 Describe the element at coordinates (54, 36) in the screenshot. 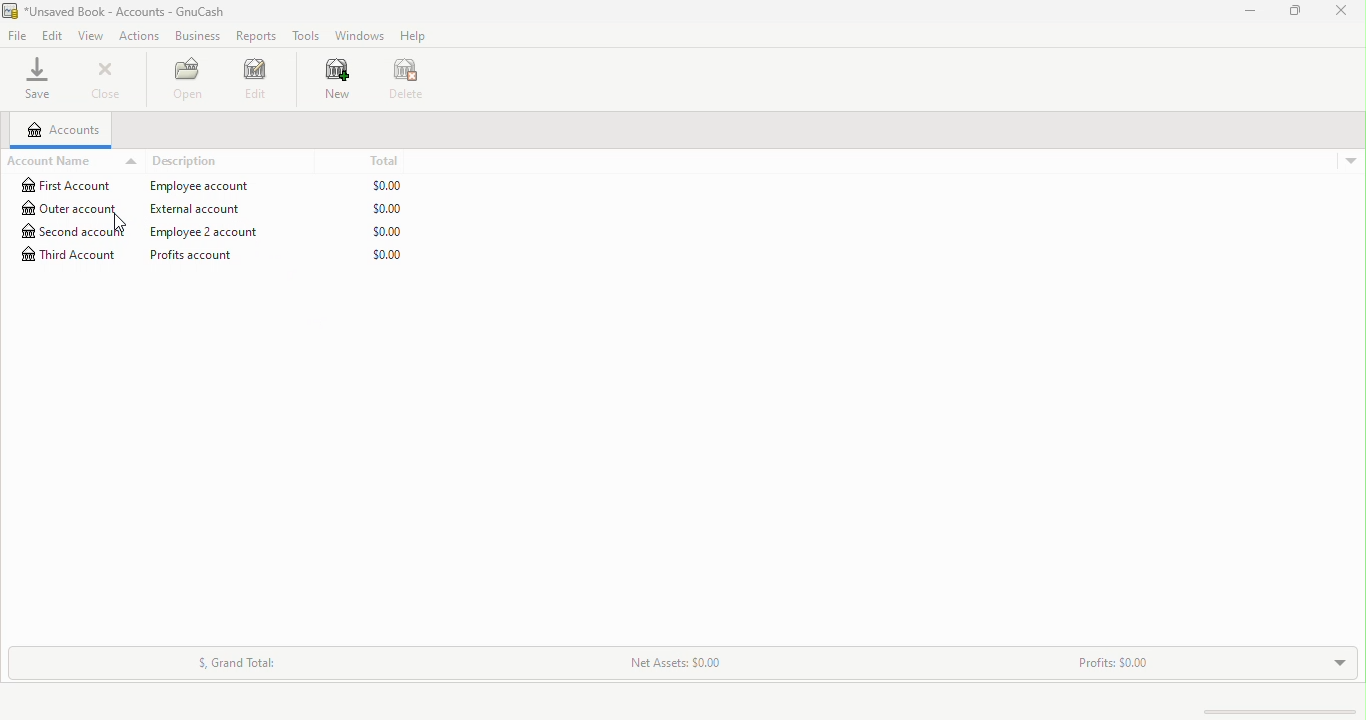

I see `Edit` at that location.